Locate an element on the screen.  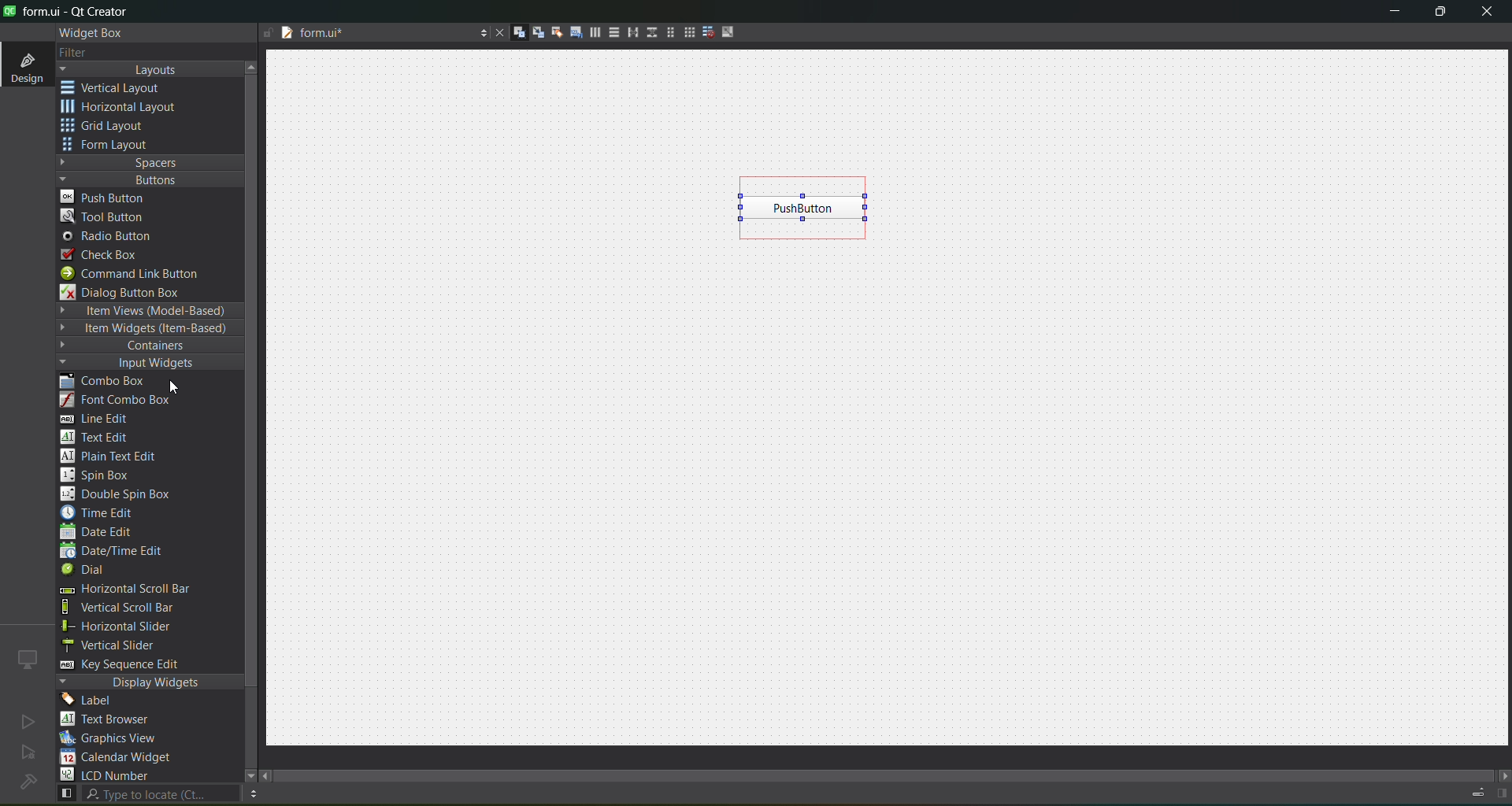
buttons is located at coordinates (146, 179).